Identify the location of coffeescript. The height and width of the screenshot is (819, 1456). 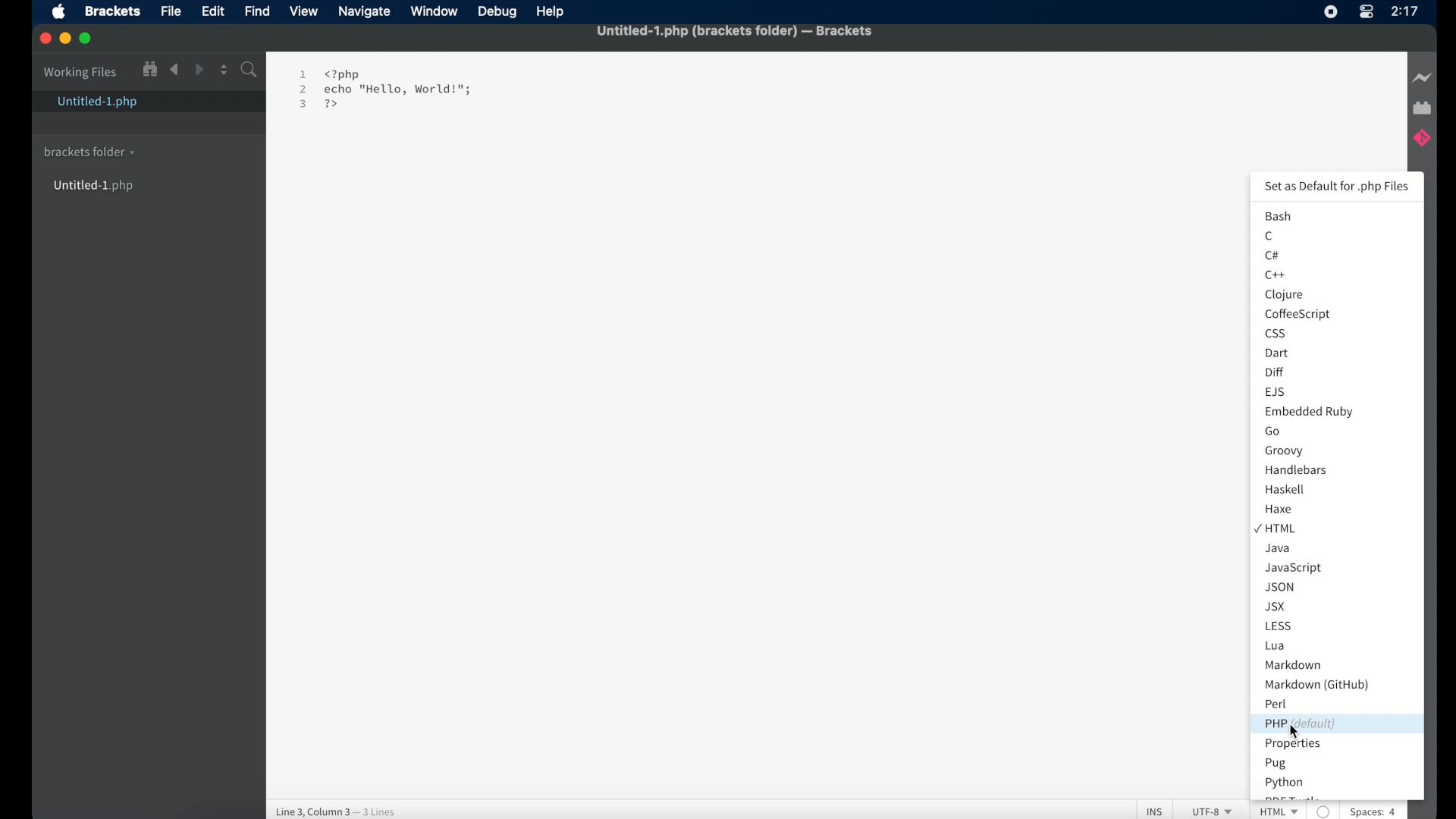
(1298, 314).